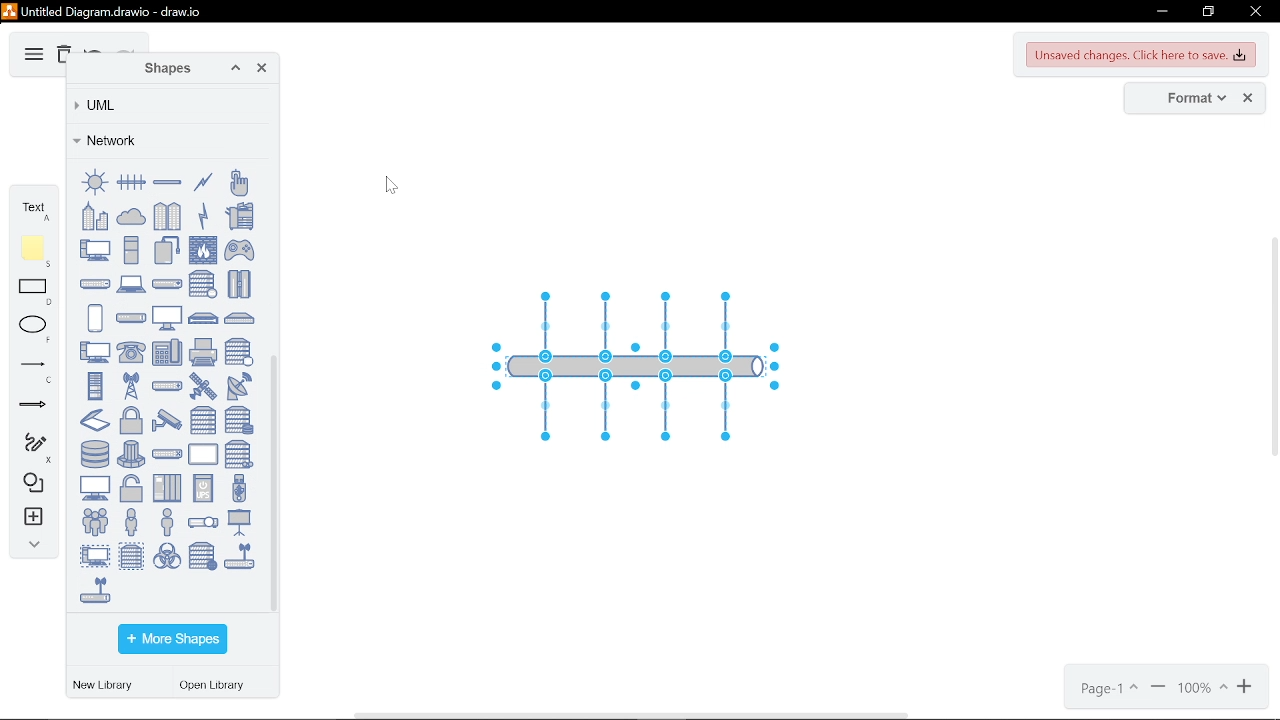  What do you see at coordinates (262, 70) in the screenshot?
I see `close` at bounding box center [262, 70].